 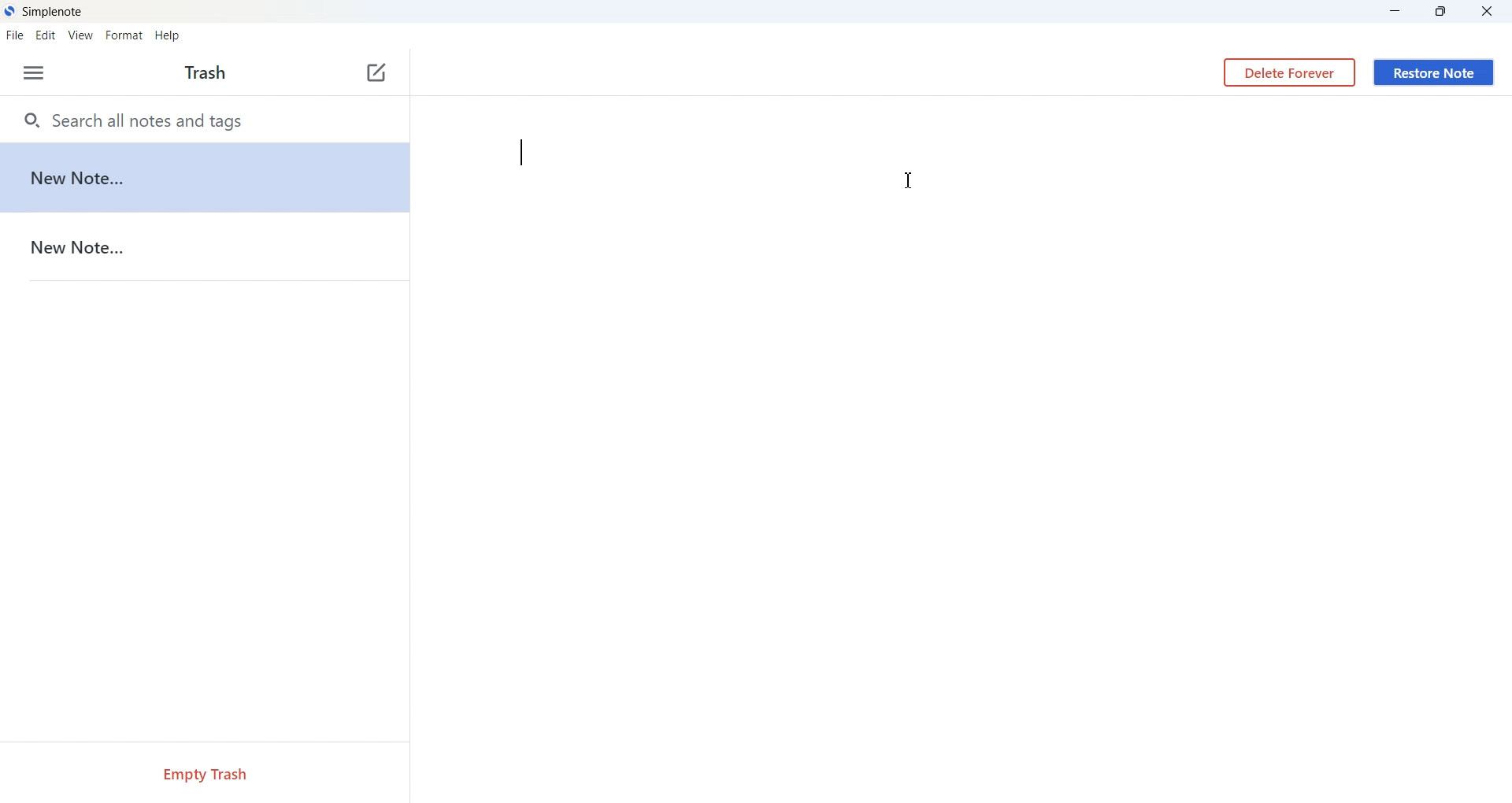 I want to click on Delete Forever, so click(x=1289, y=72).